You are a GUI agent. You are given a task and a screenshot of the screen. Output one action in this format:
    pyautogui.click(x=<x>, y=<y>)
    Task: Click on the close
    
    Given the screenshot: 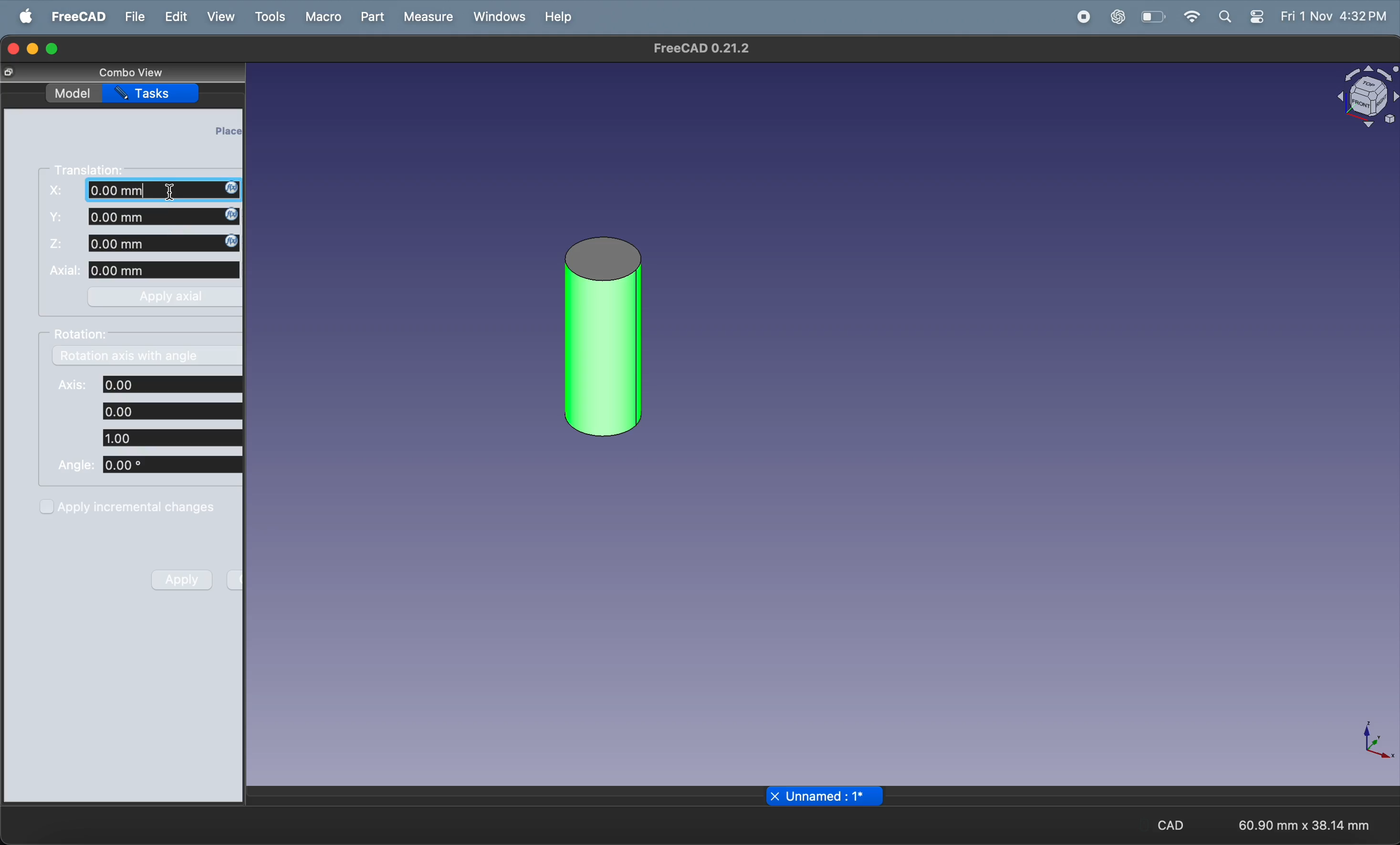 What is the action you would take?
    pyautogui.click(x=774, y=796)
    